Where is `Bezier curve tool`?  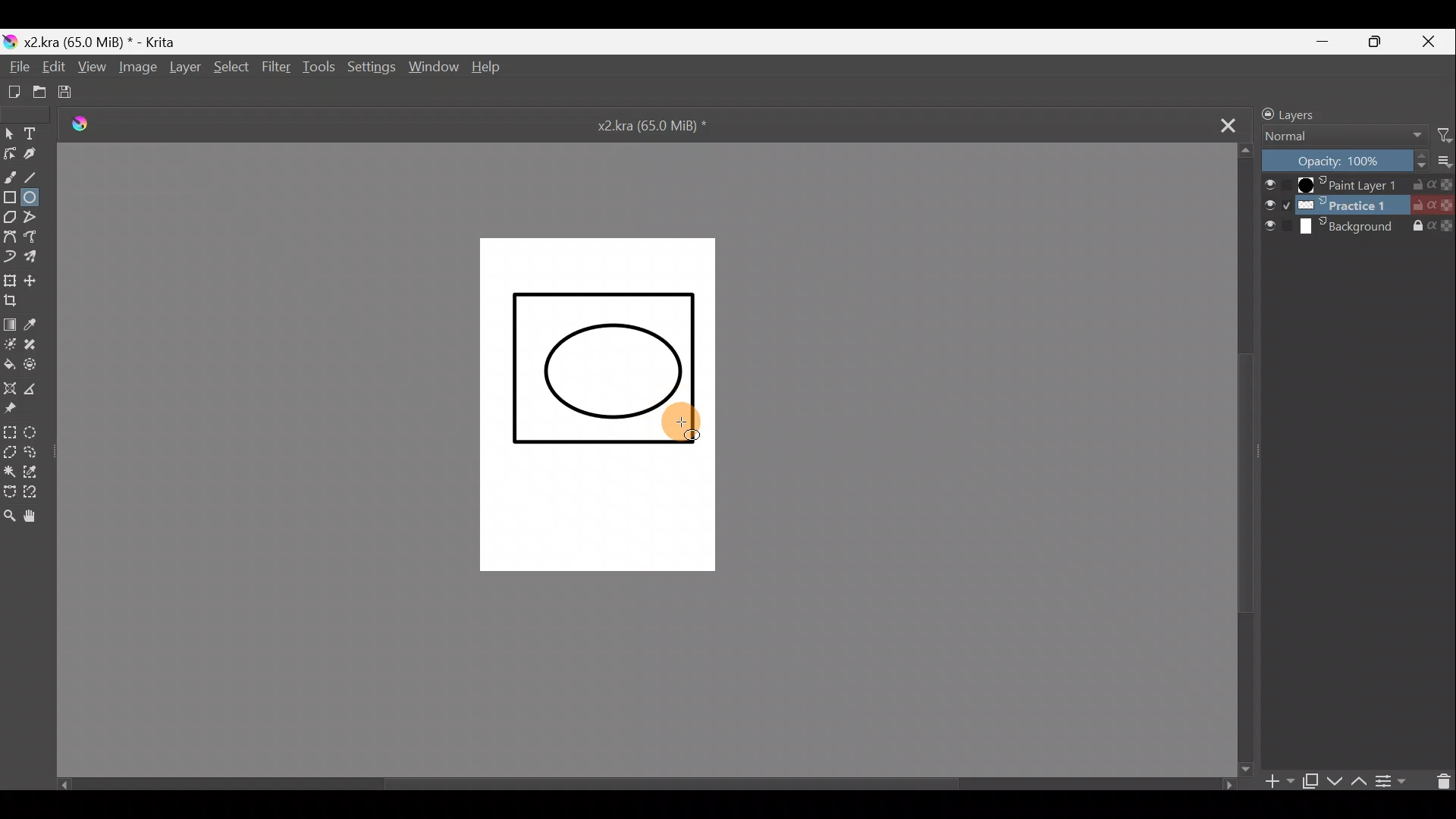 Bezier curve tool is located at coordinates (11, 237).